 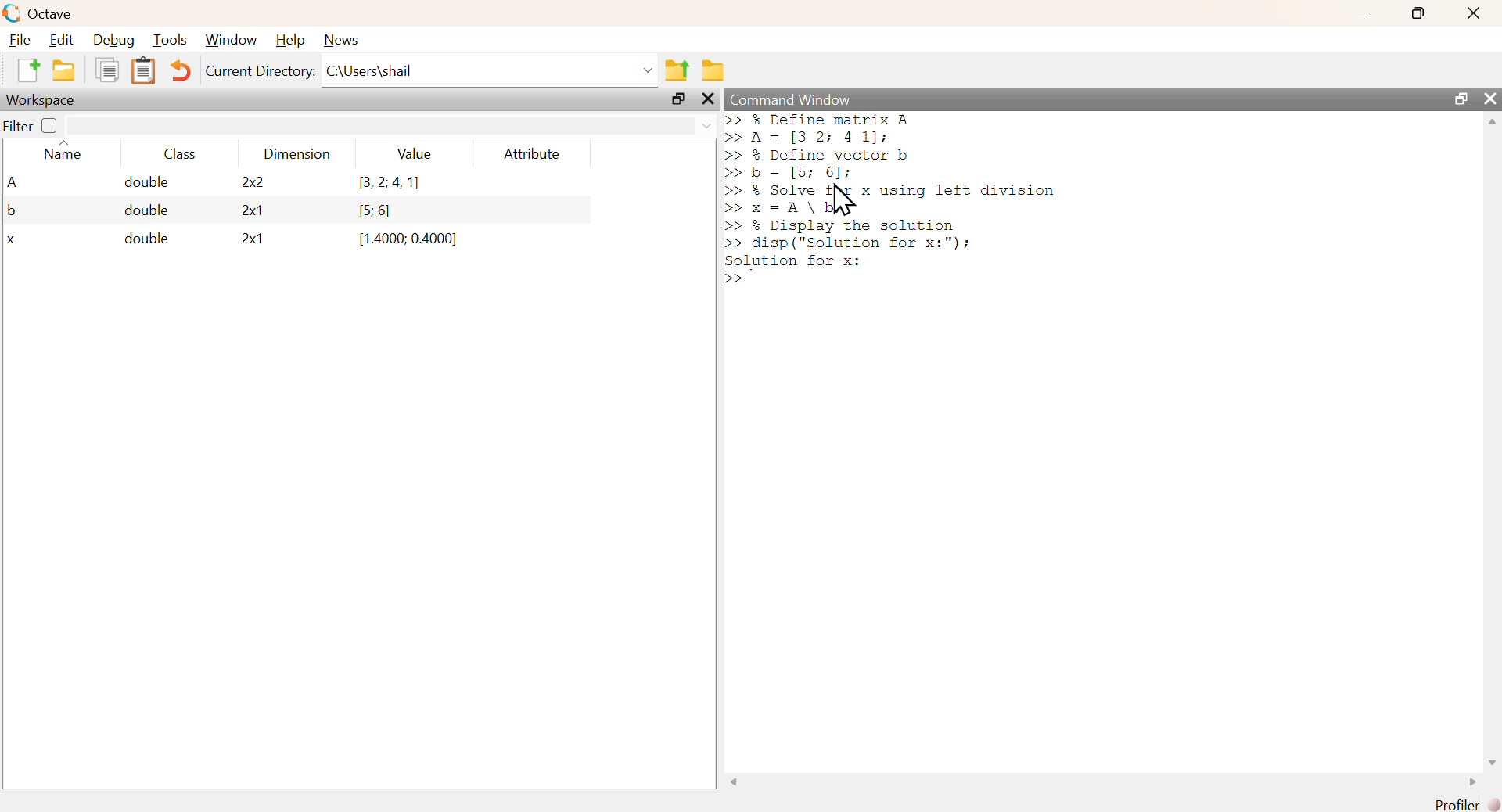 What do you see at coordinates (18, 127) in the screenshot?
I see `filter` at bounding box center [18, 127].